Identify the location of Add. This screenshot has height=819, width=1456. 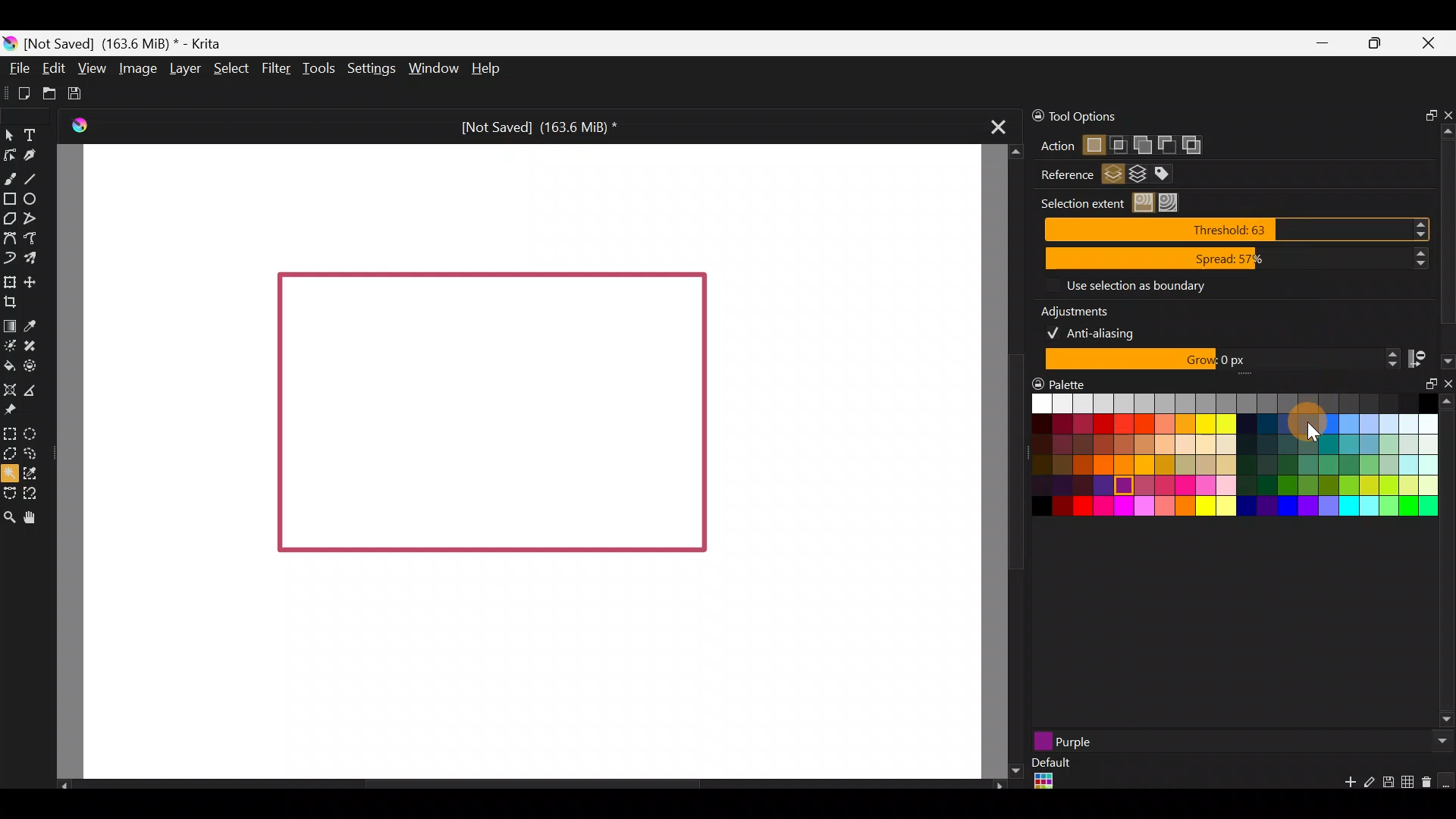
(1141, 142).